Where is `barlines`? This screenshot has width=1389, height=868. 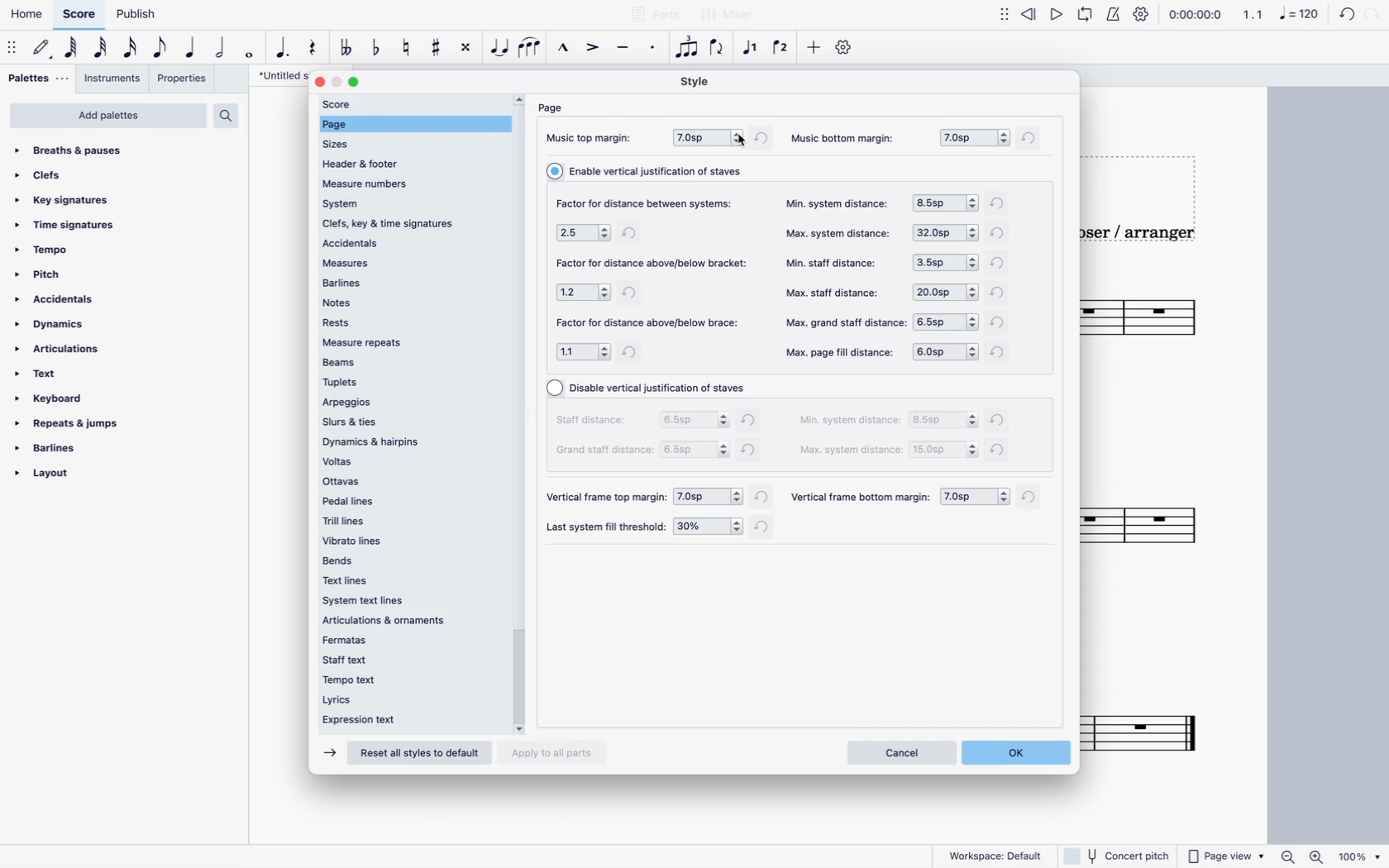
barlines is located at coordinates (49, 448).